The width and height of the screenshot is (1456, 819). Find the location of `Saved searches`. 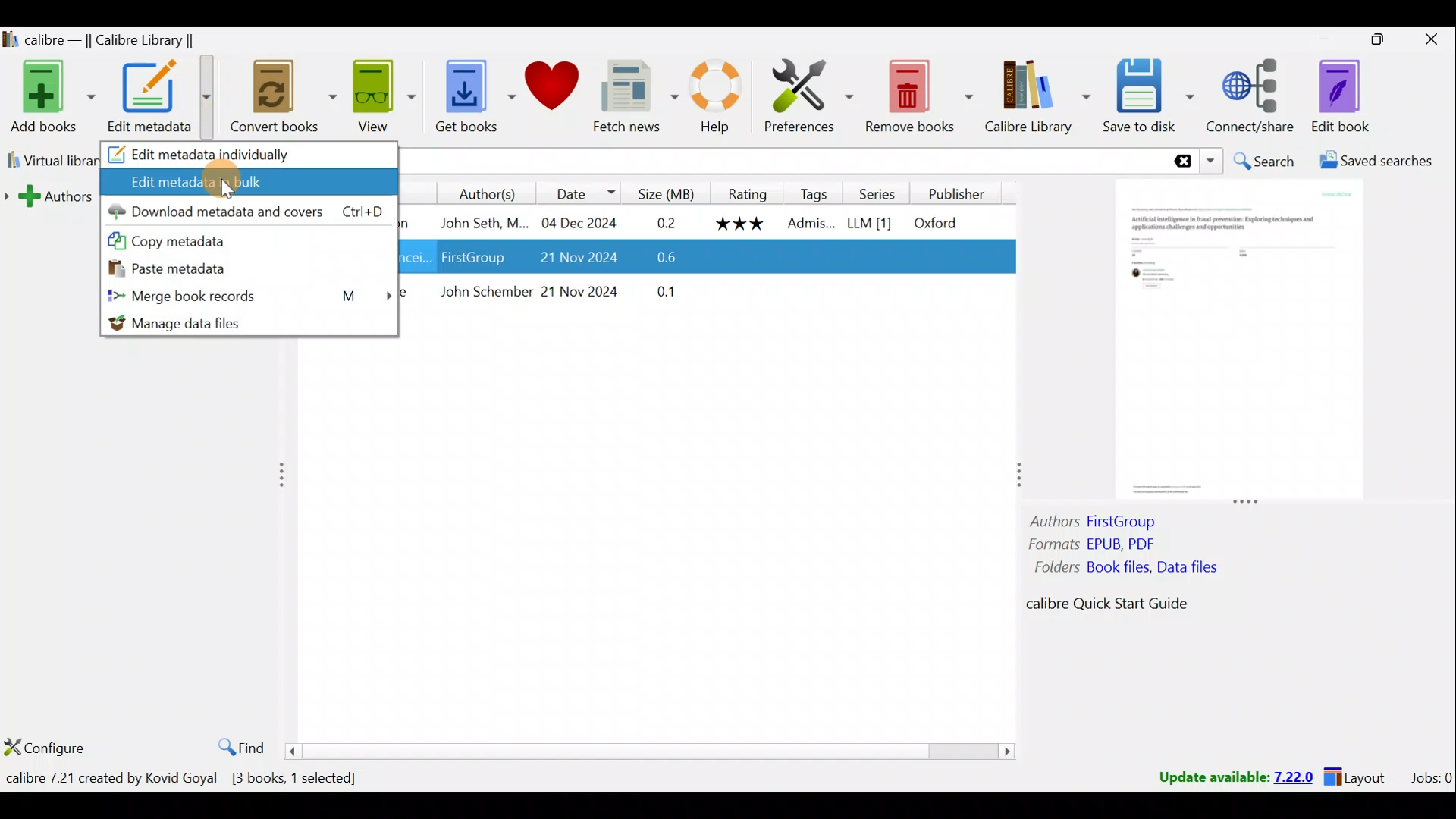

Saved searches is located at coordinates (1385, 161).